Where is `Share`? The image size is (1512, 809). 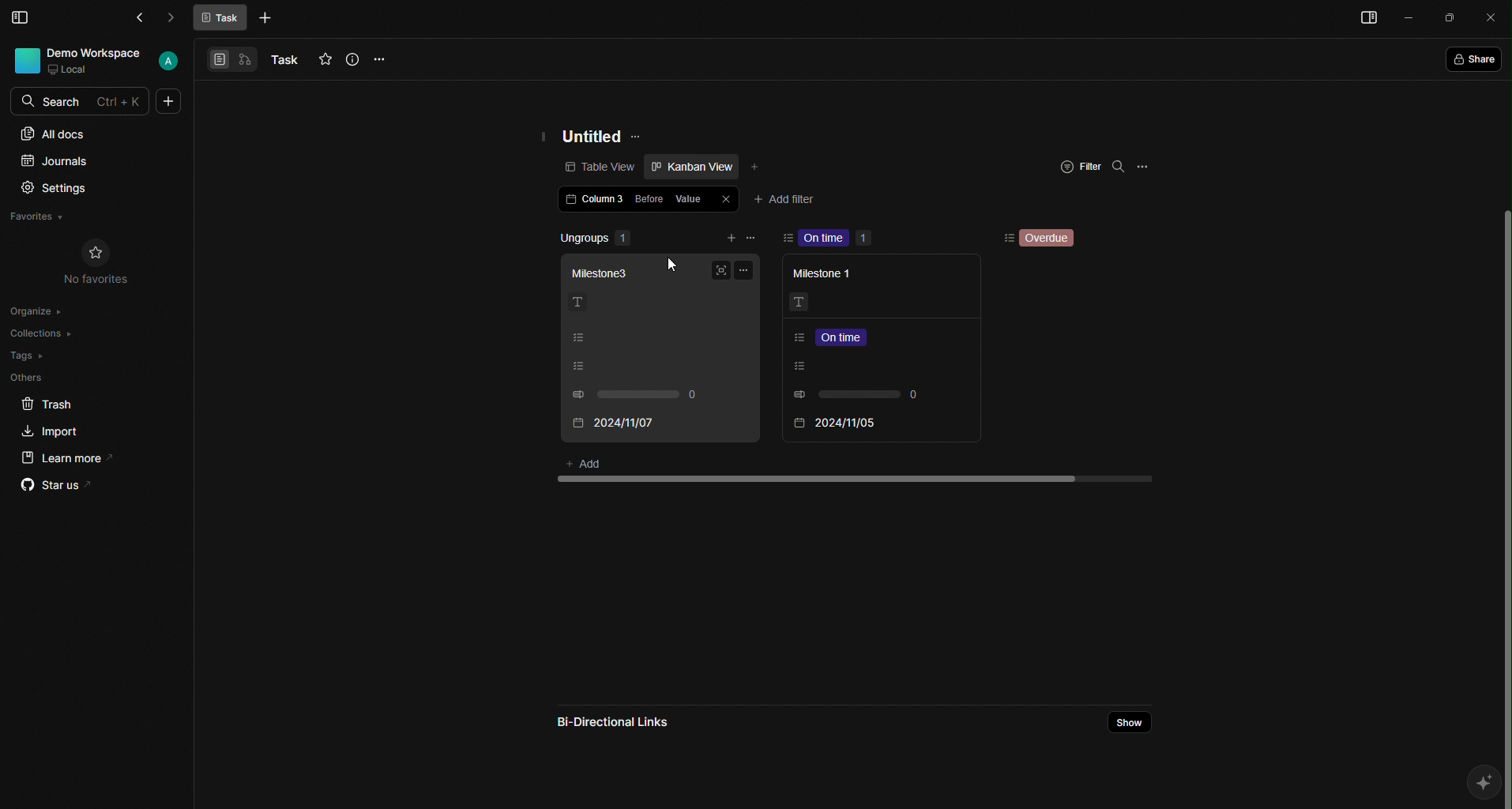 Share is located at coordinates (1475, 59).